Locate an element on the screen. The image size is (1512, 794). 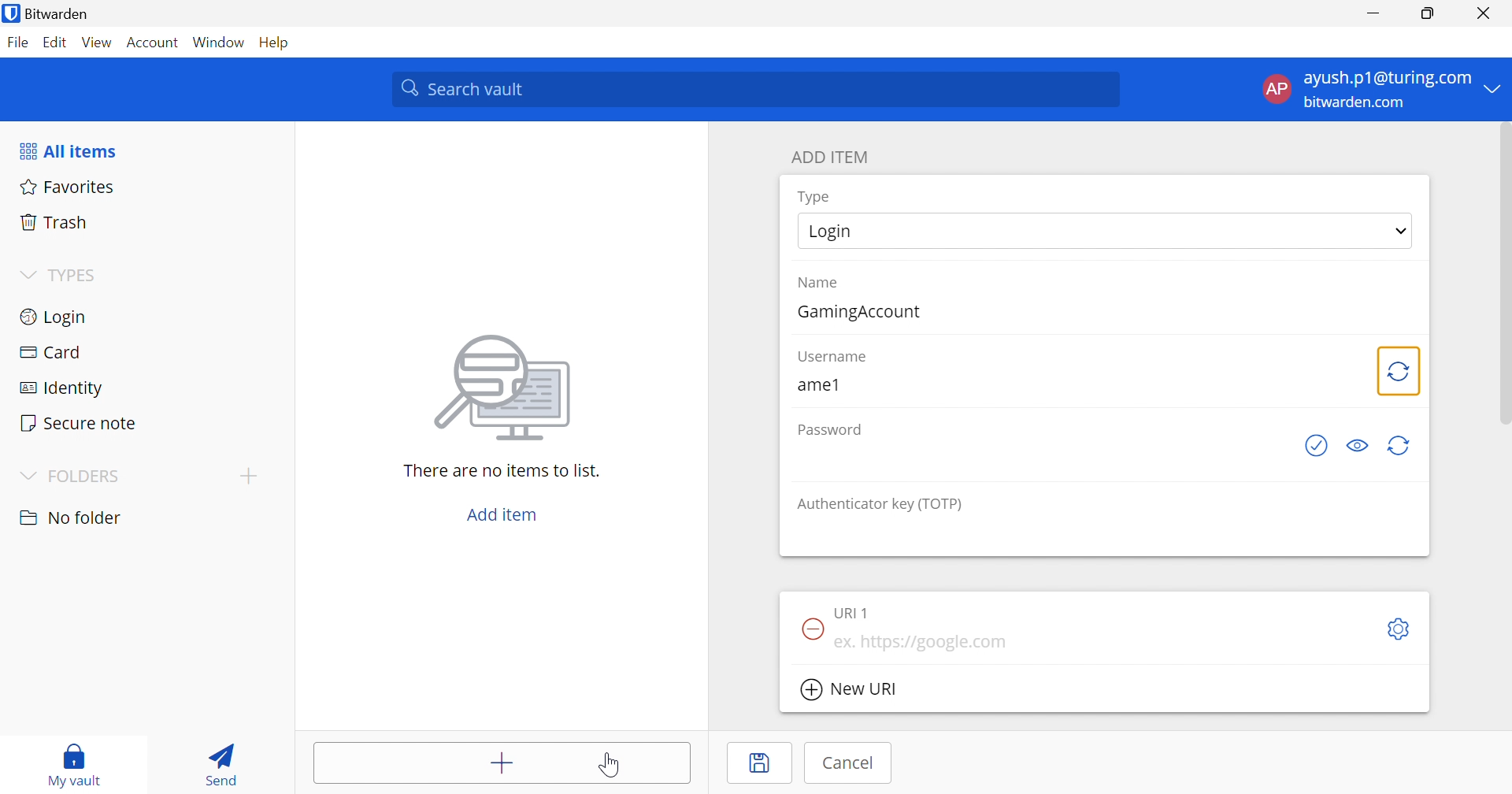
Window is located at coordinates (218, 43).